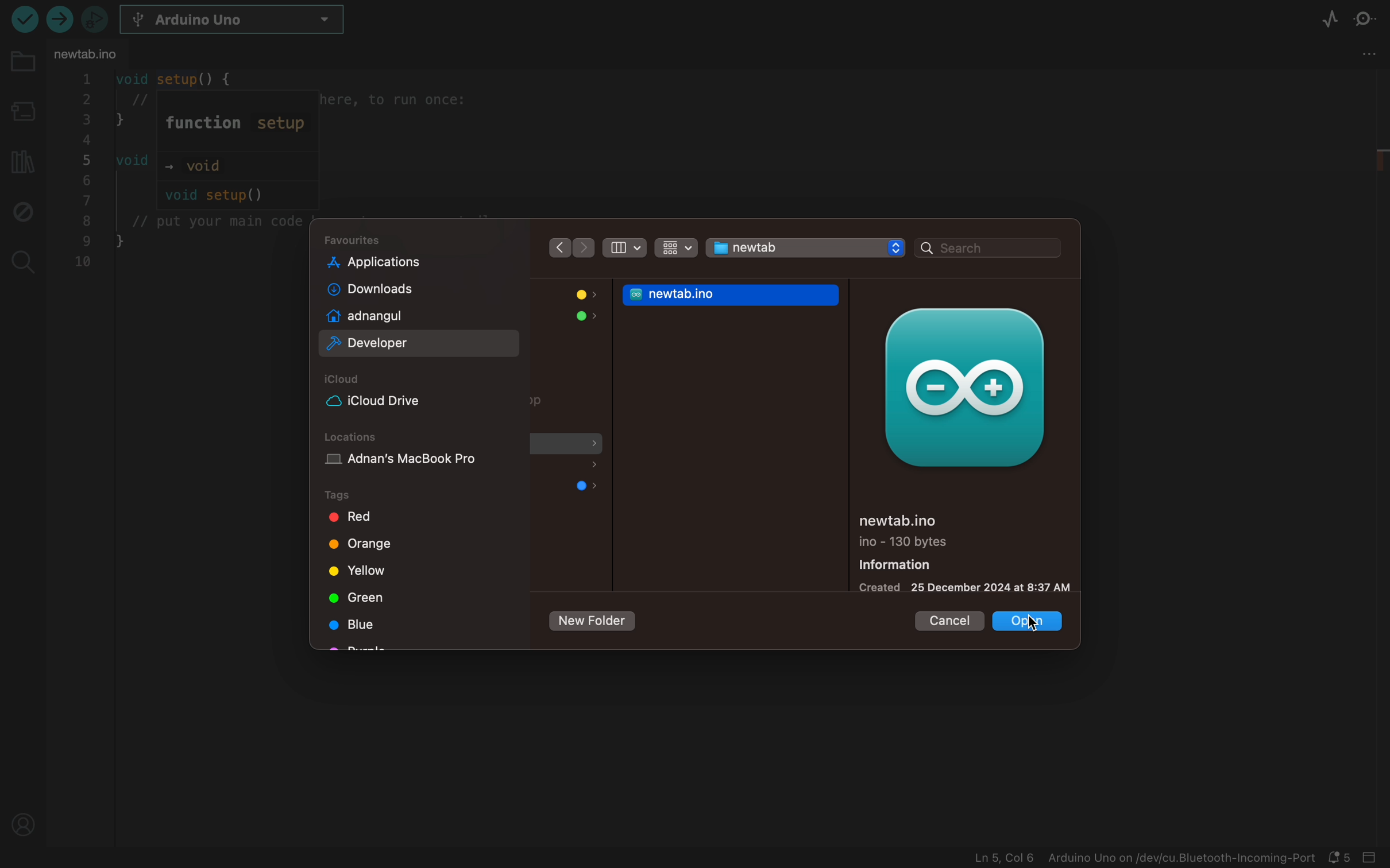 The width and height of the screenshot is (1390, 868). I want to click on logo, so click(962, 387).